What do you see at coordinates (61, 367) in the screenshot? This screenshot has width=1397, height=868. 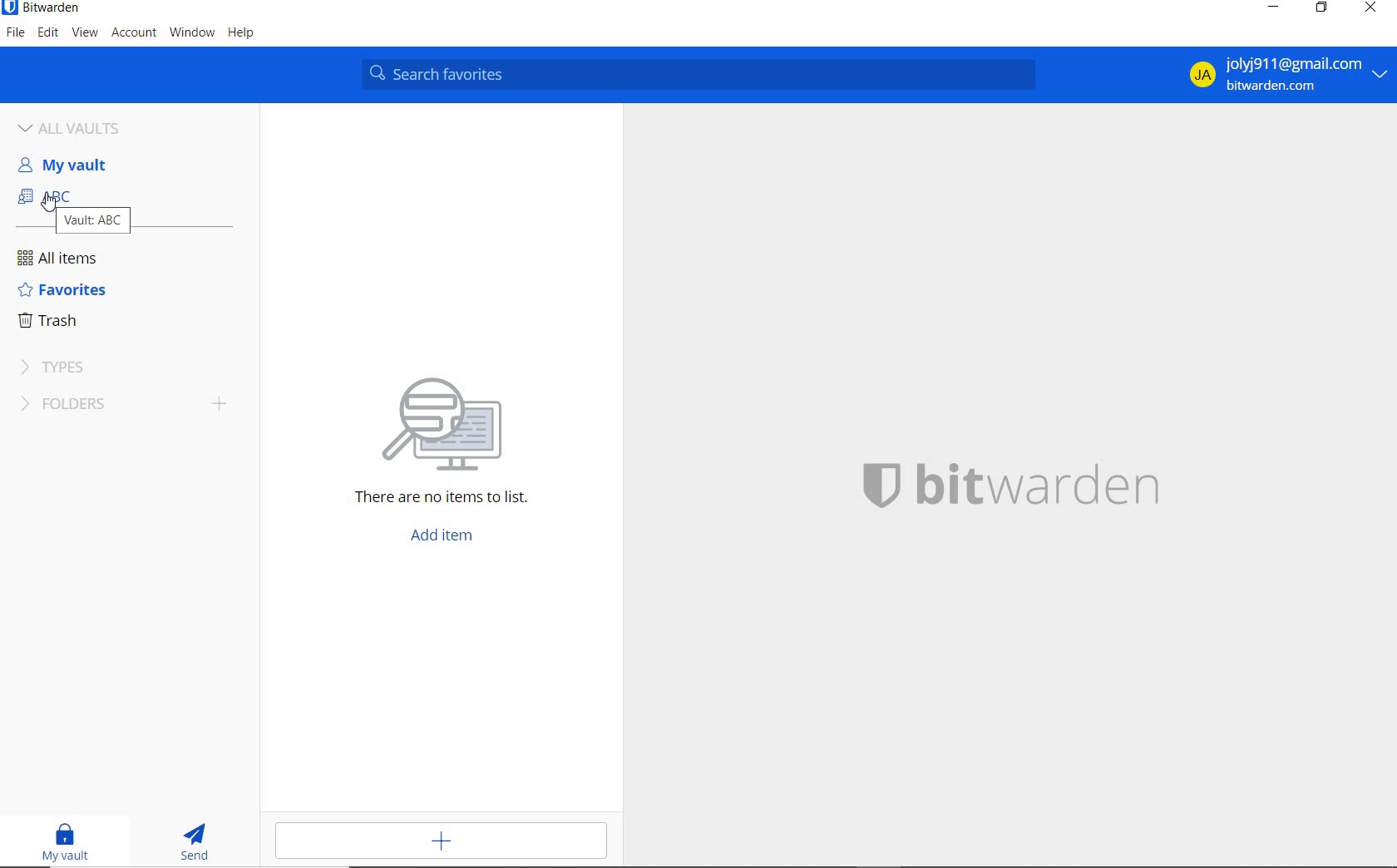 I see `TYPES` at bounding box center [61, 367].